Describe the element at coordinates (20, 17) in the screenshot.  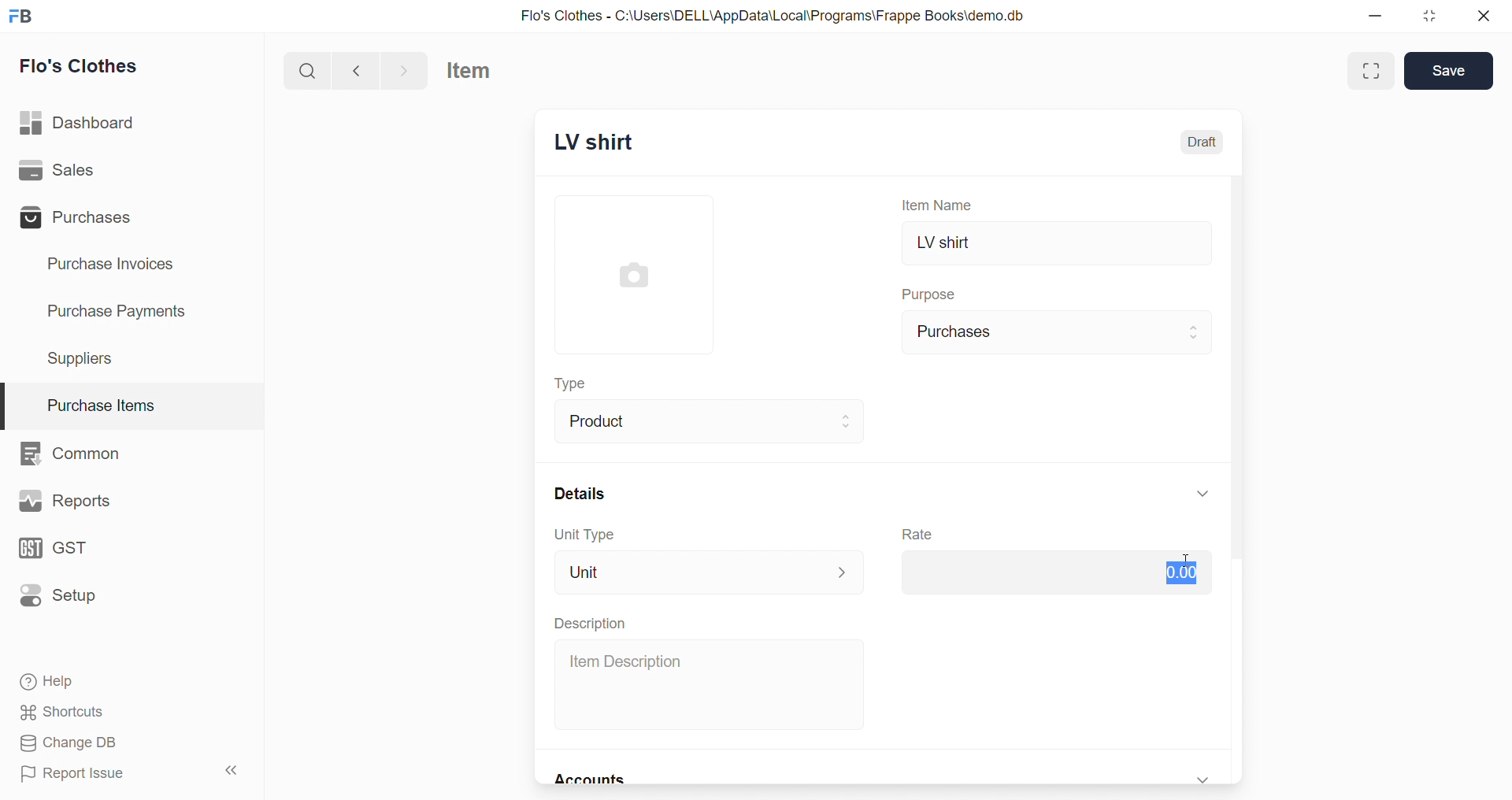
I see `logo` at that location.